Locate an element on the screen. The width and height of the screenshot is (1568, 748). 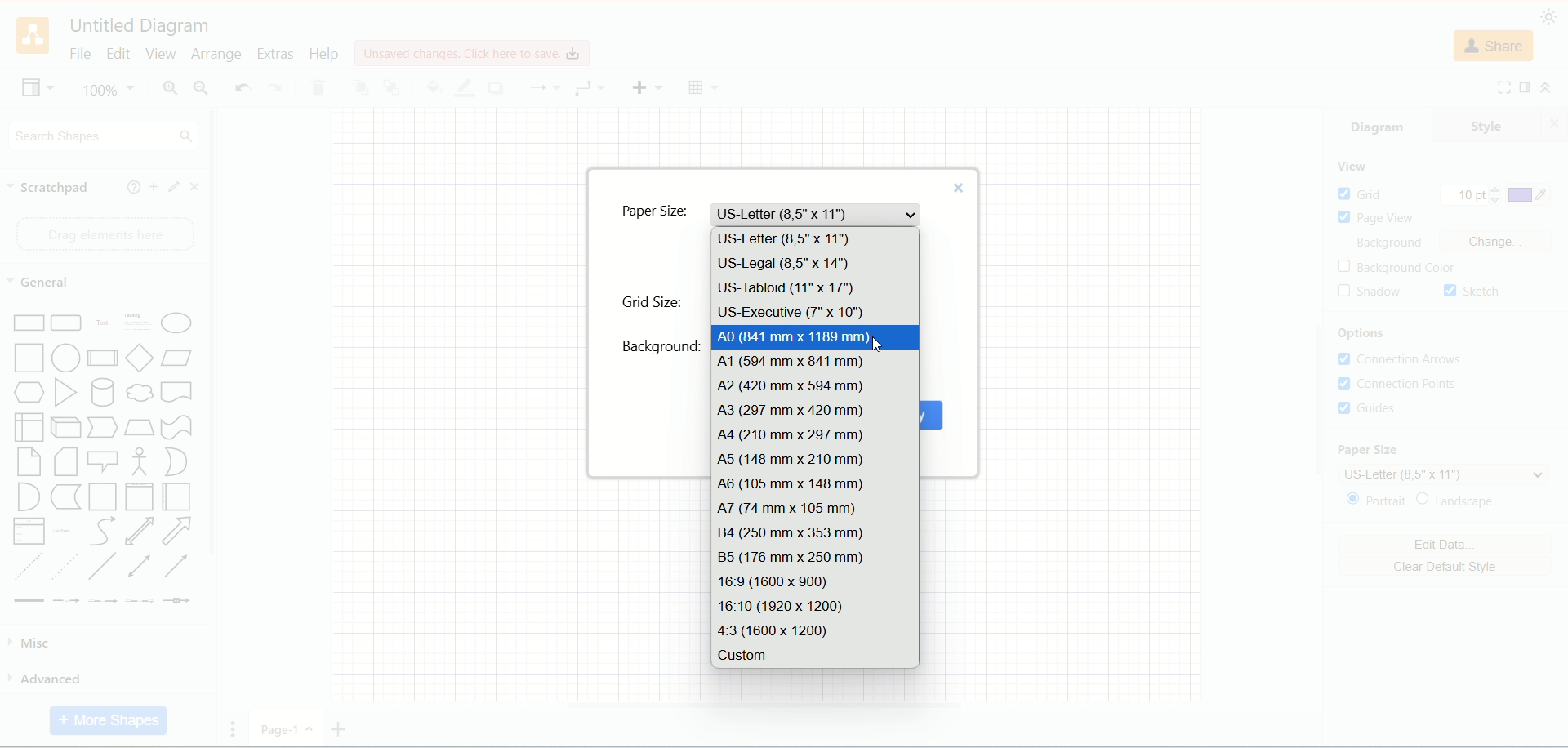
connection points is located at coordinates (1397, 383).